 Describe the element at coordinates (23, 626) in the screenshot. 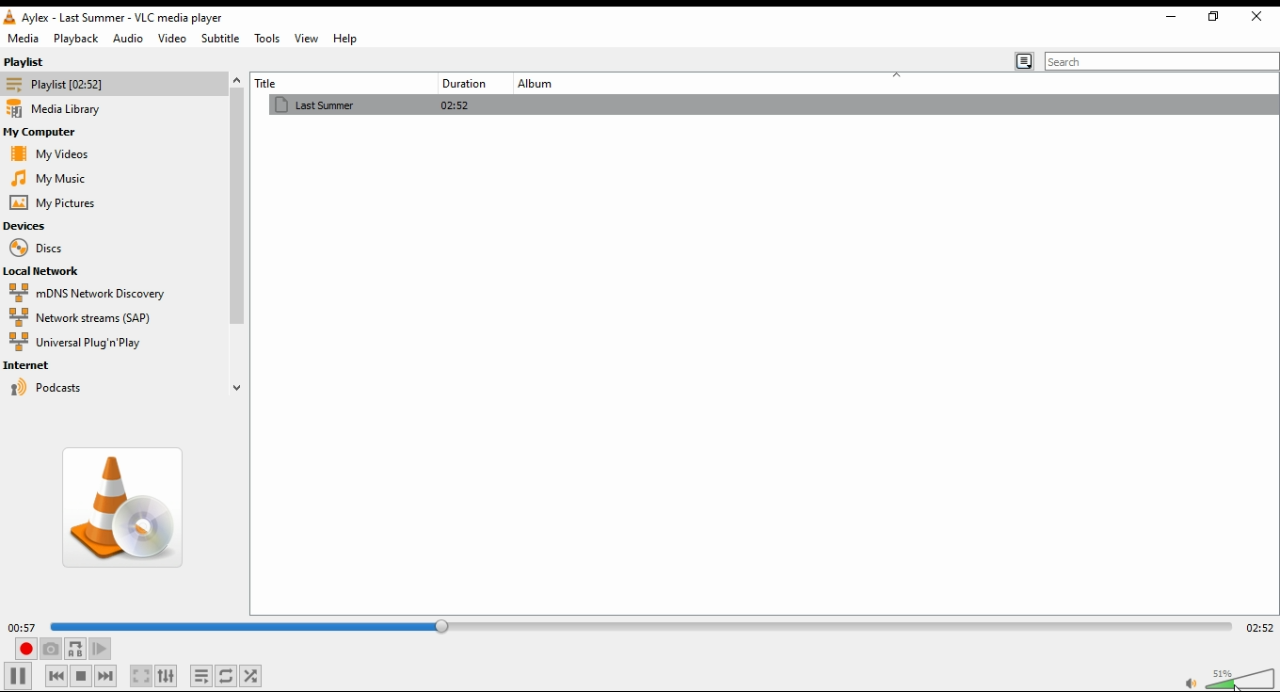

I see `00:57` at that location.